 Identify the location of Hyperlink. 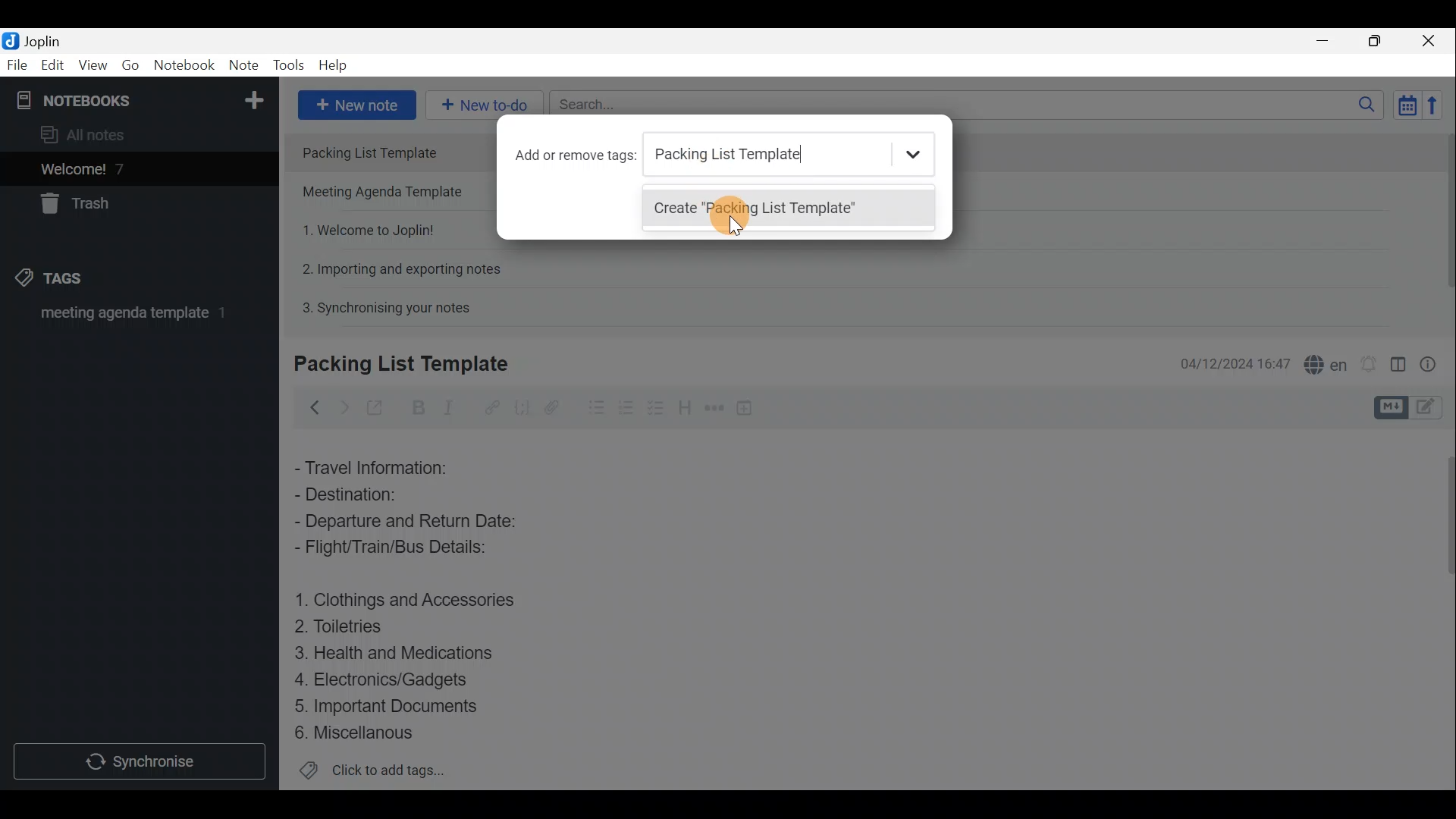
(489, 406).